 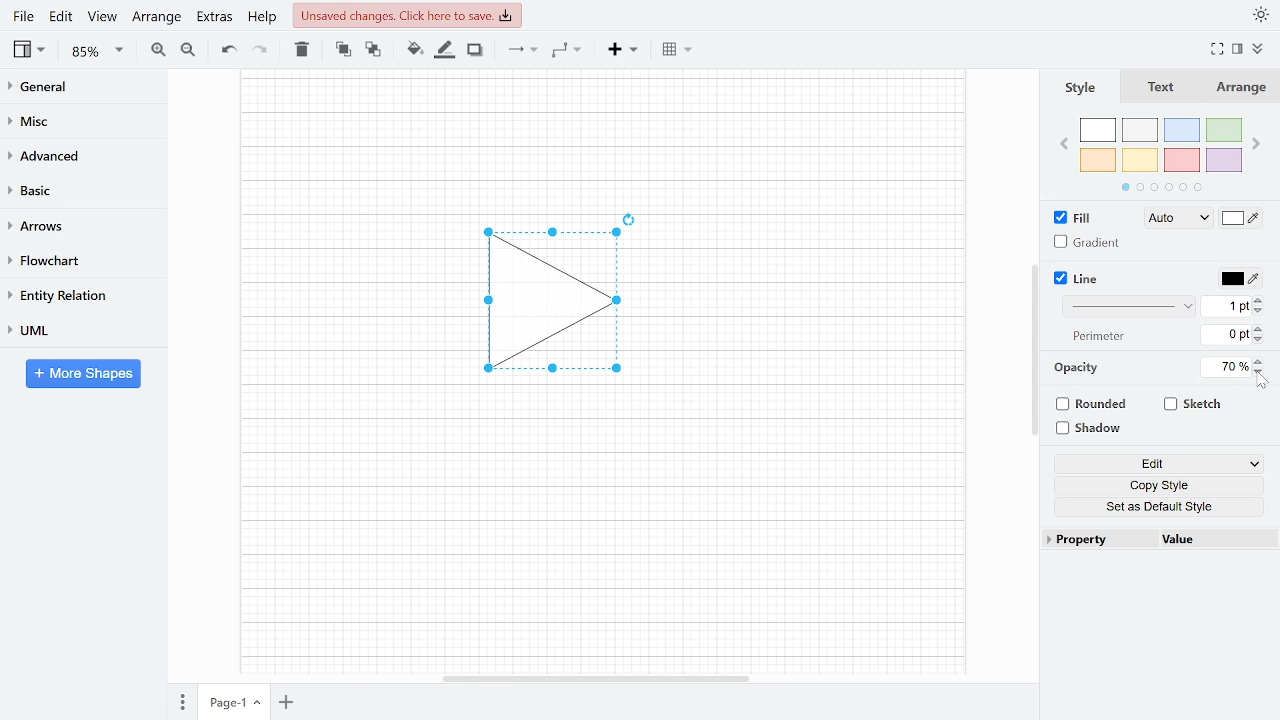 What do you see at coordinates (1261, 310) in the screenshot?
I see `Decrease line width` at bounding box center [1261, 310].